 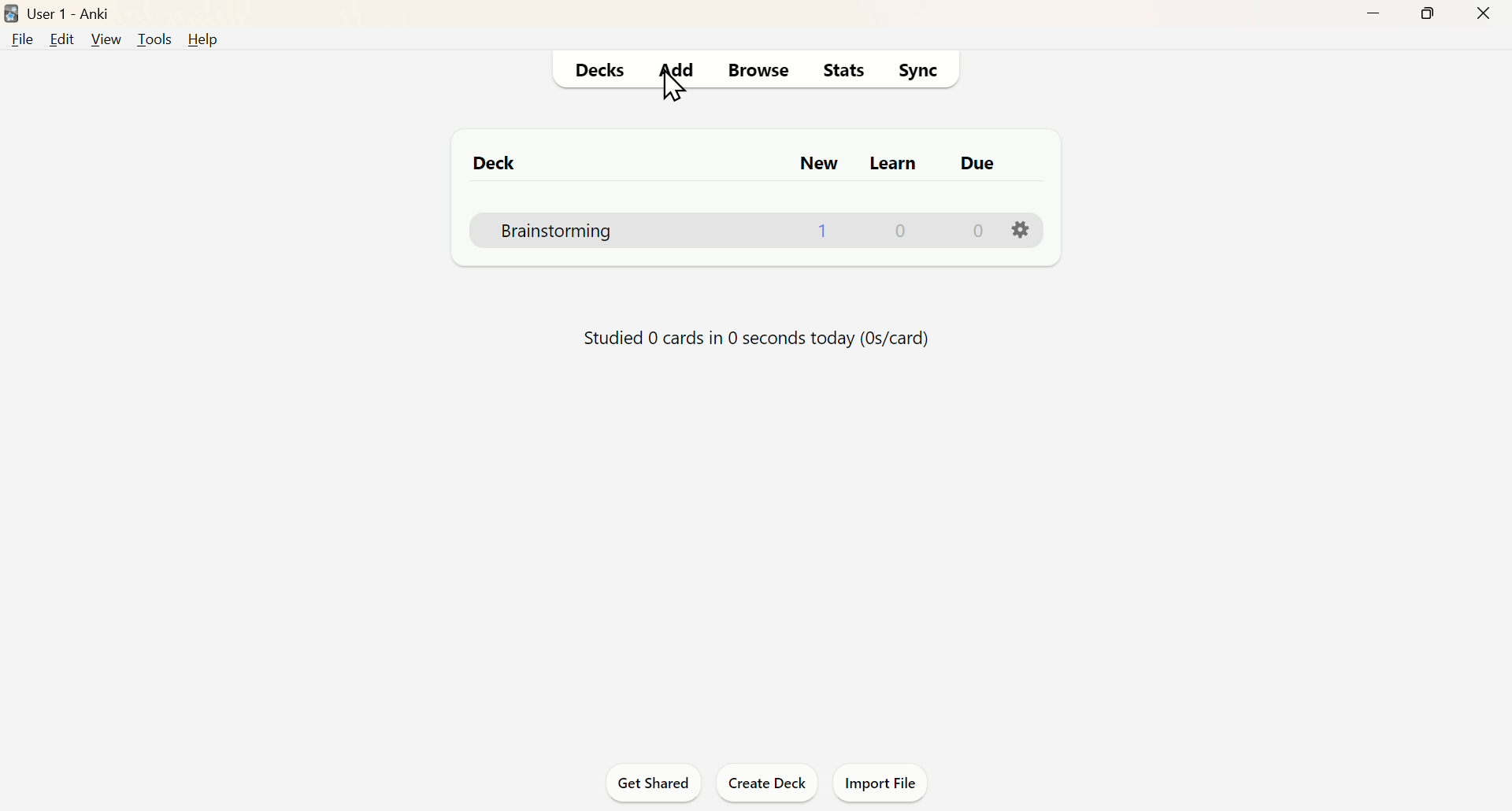 I want to click on Browse, so click(x=760, y=70).